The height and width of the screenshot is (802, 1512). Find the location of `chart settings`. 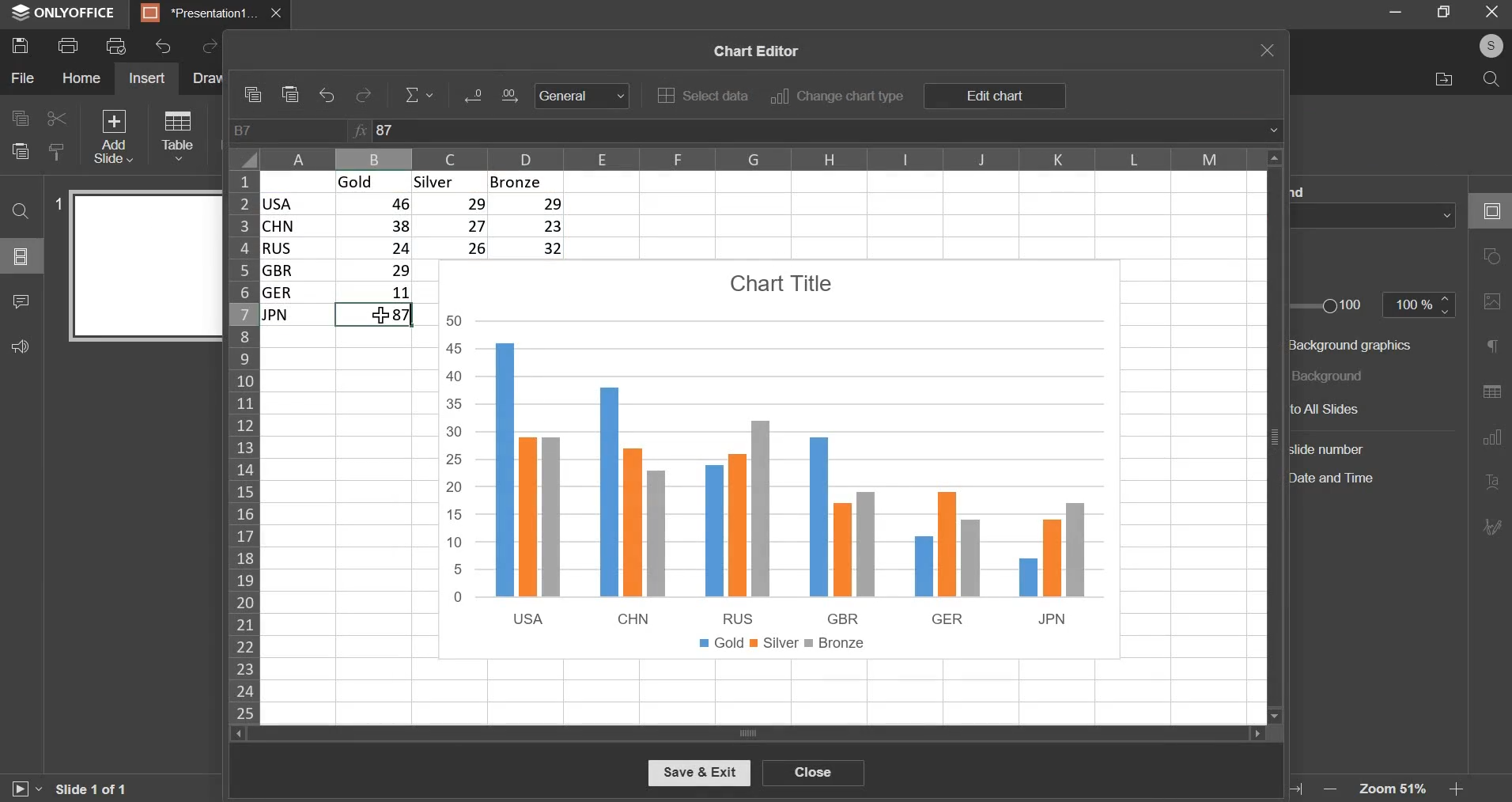

chart settings is located at coordinates (1491, 442).